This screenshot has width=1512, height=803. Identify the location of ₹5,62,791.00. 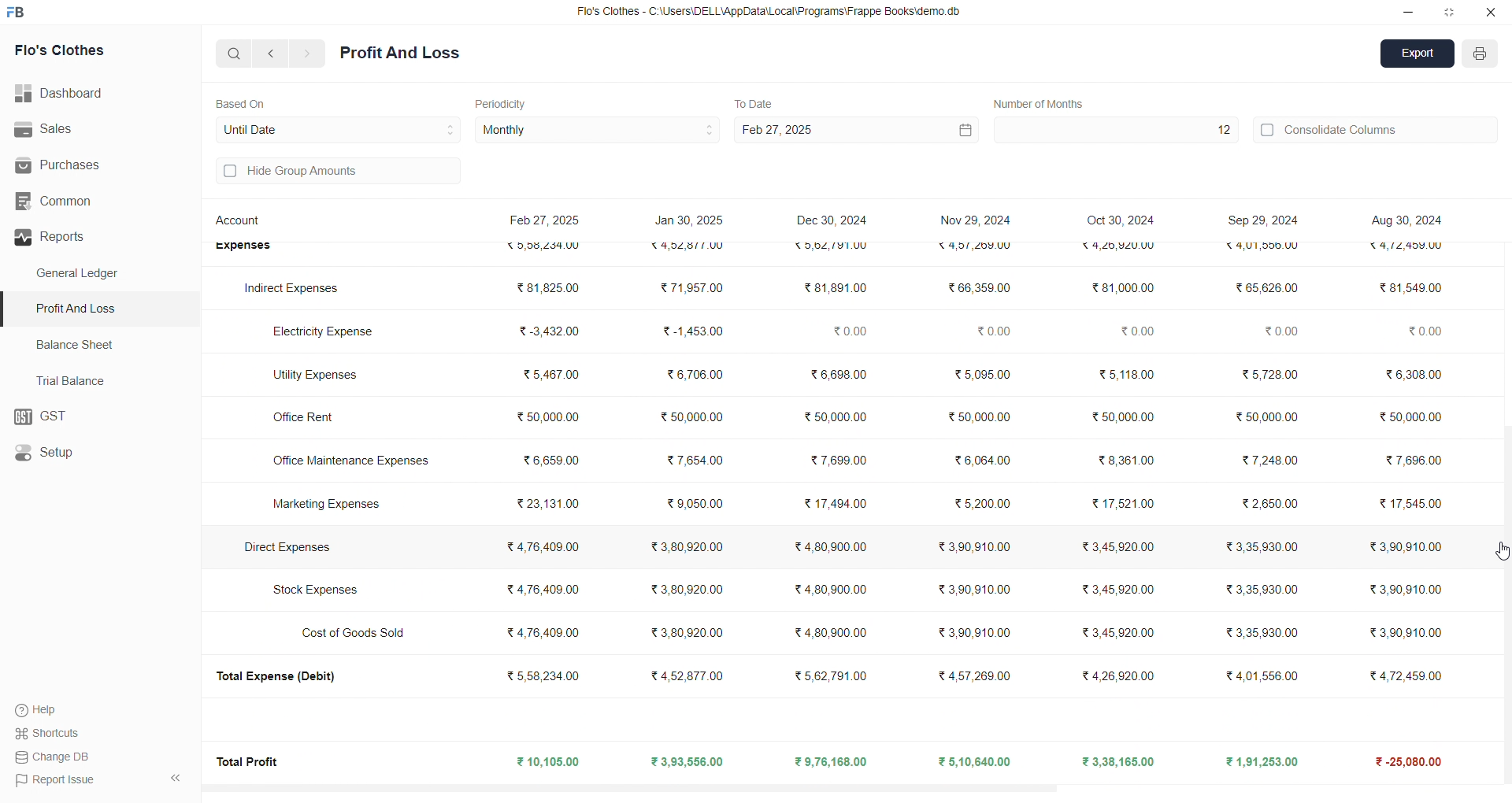
(829, 246).